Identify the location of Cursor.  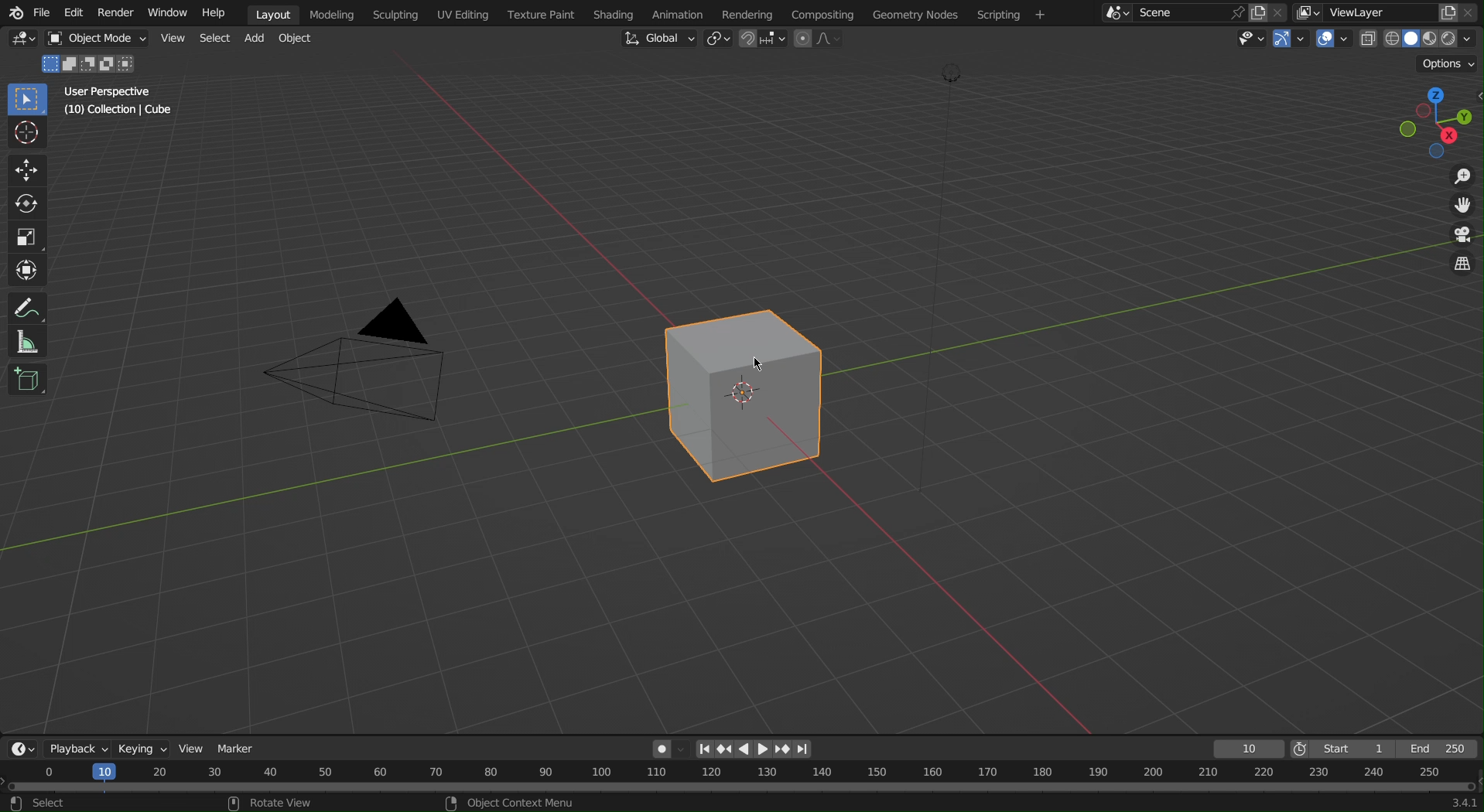
(762, 361).